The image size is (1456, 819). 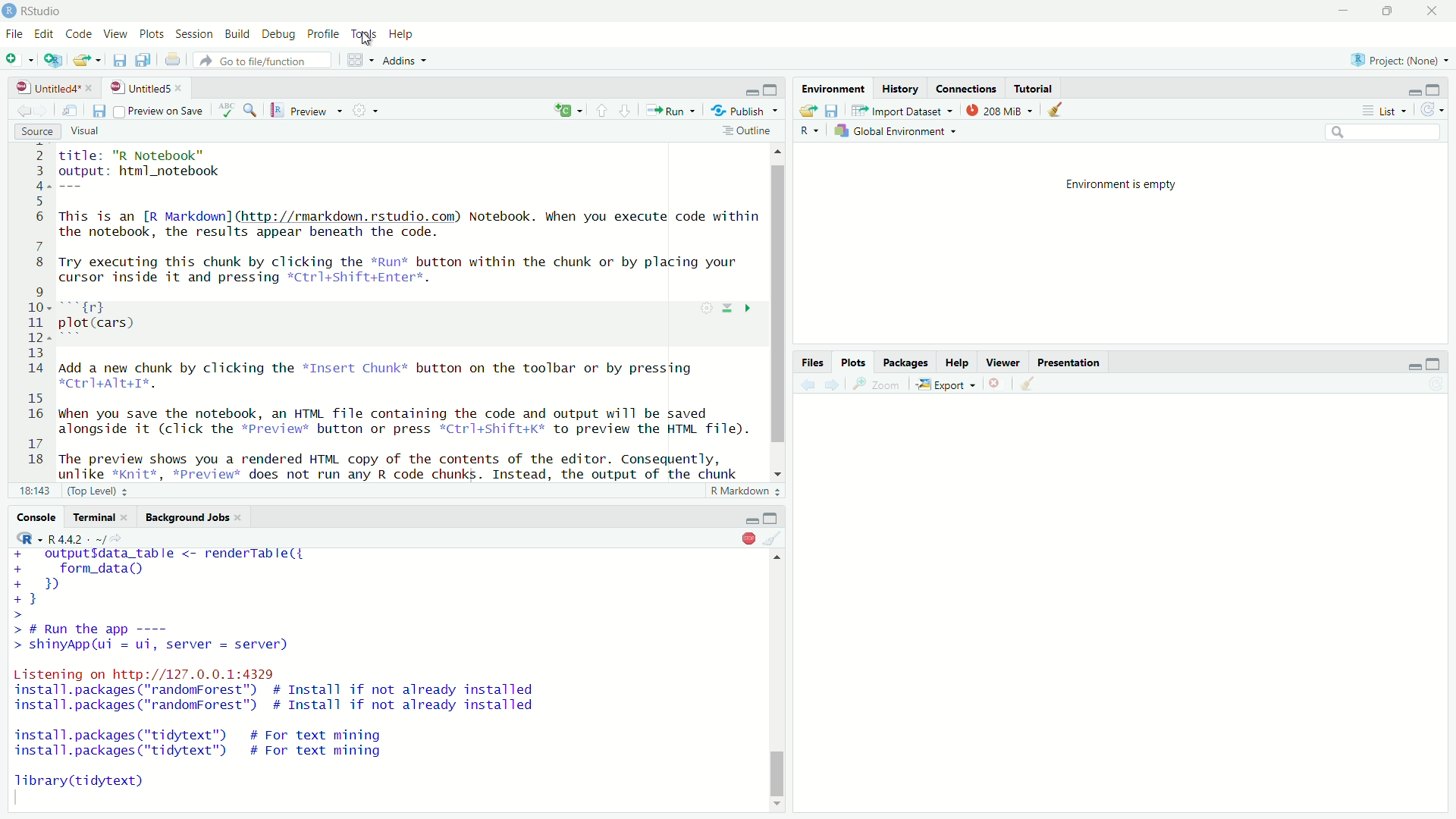 I want to click on Edit, so click(x=44, y=35).